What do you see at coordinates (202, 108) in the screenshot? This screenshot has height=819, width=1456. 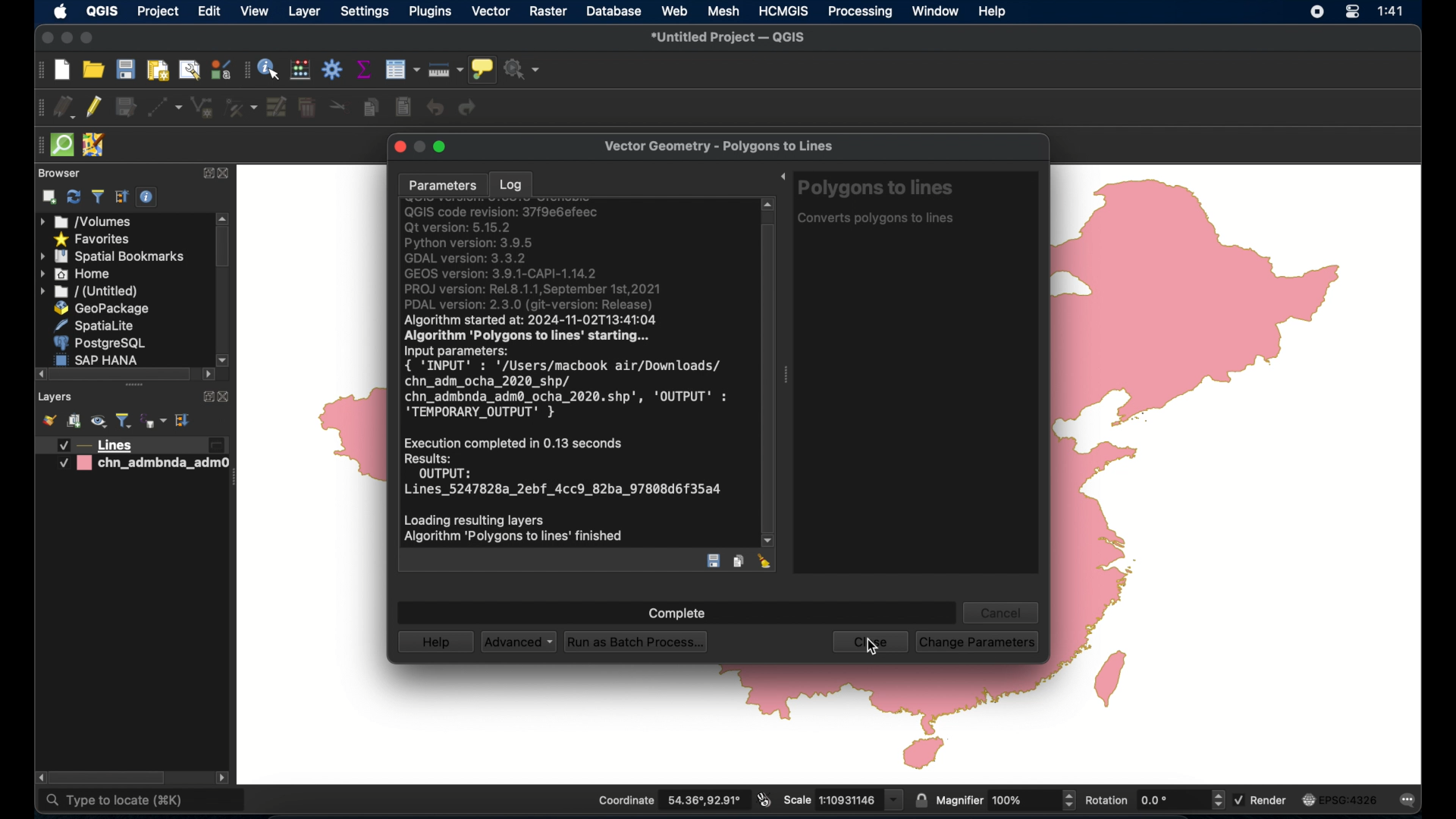 I see `add polygon` at bounding box center [202, 108].